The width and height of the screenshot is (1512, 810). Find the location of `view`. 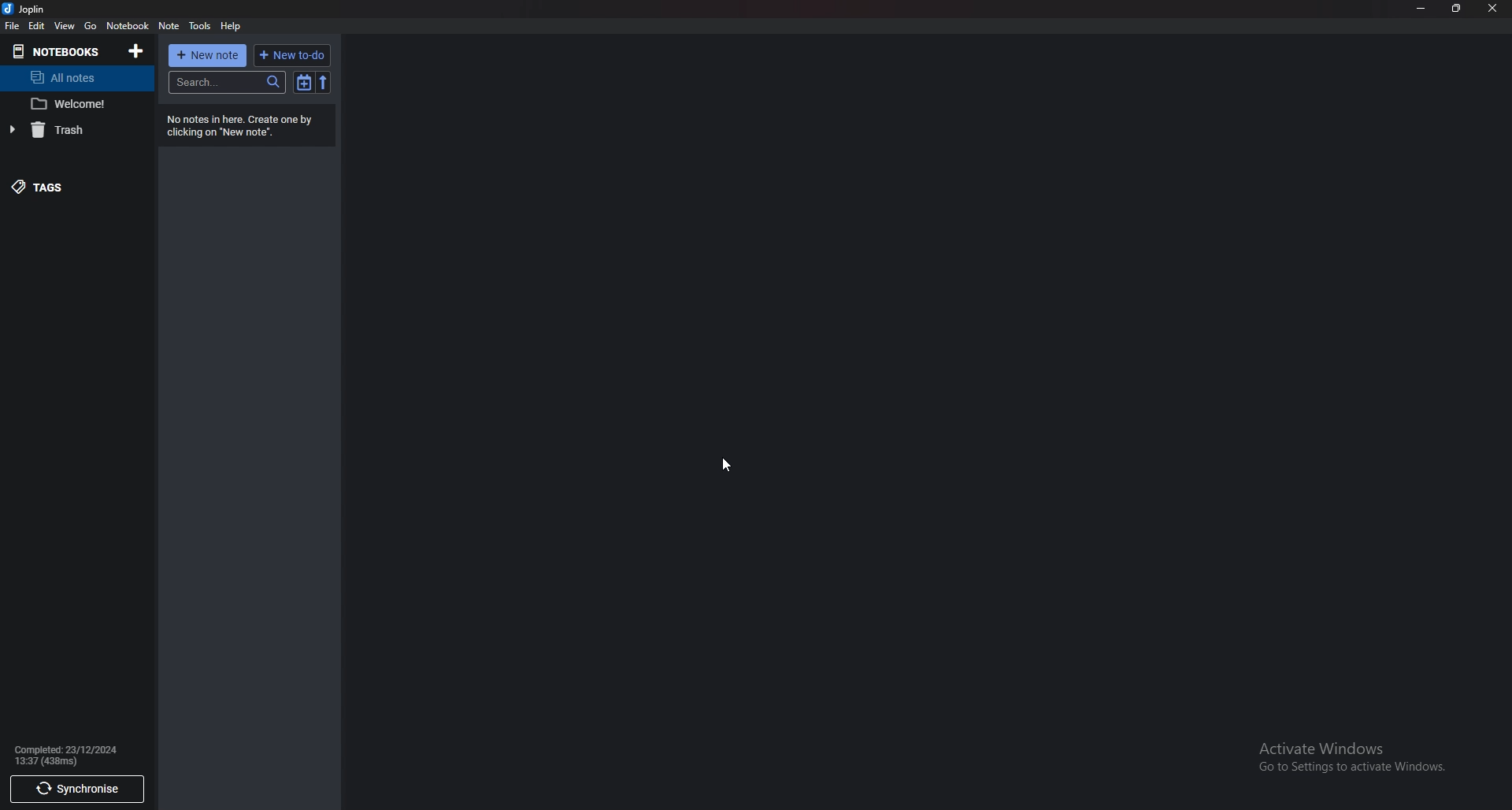

view is located at coordinates (65, 25).